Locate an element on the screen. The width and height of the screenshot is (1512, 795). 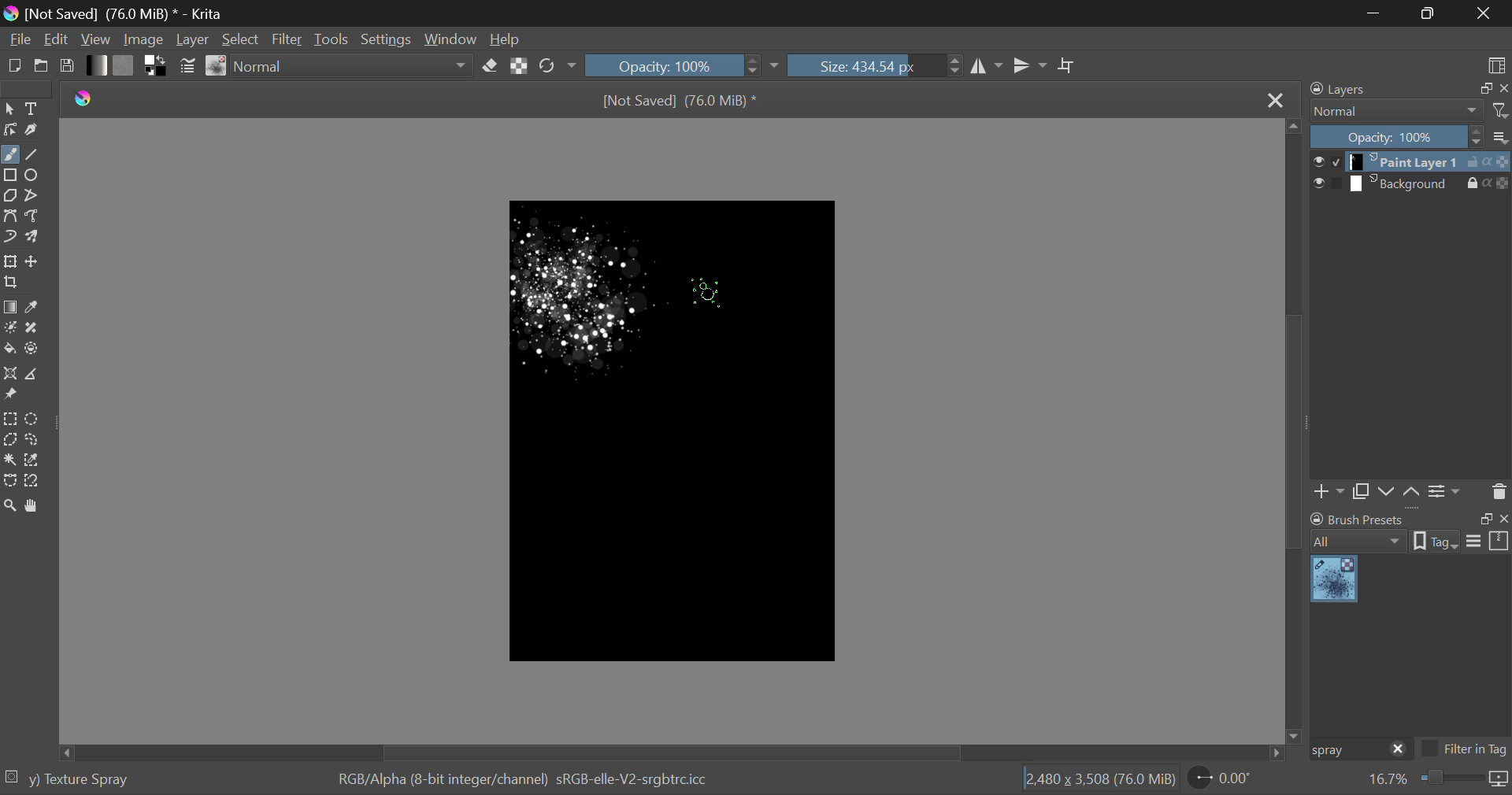
Help is located at coordinates (506, 36).